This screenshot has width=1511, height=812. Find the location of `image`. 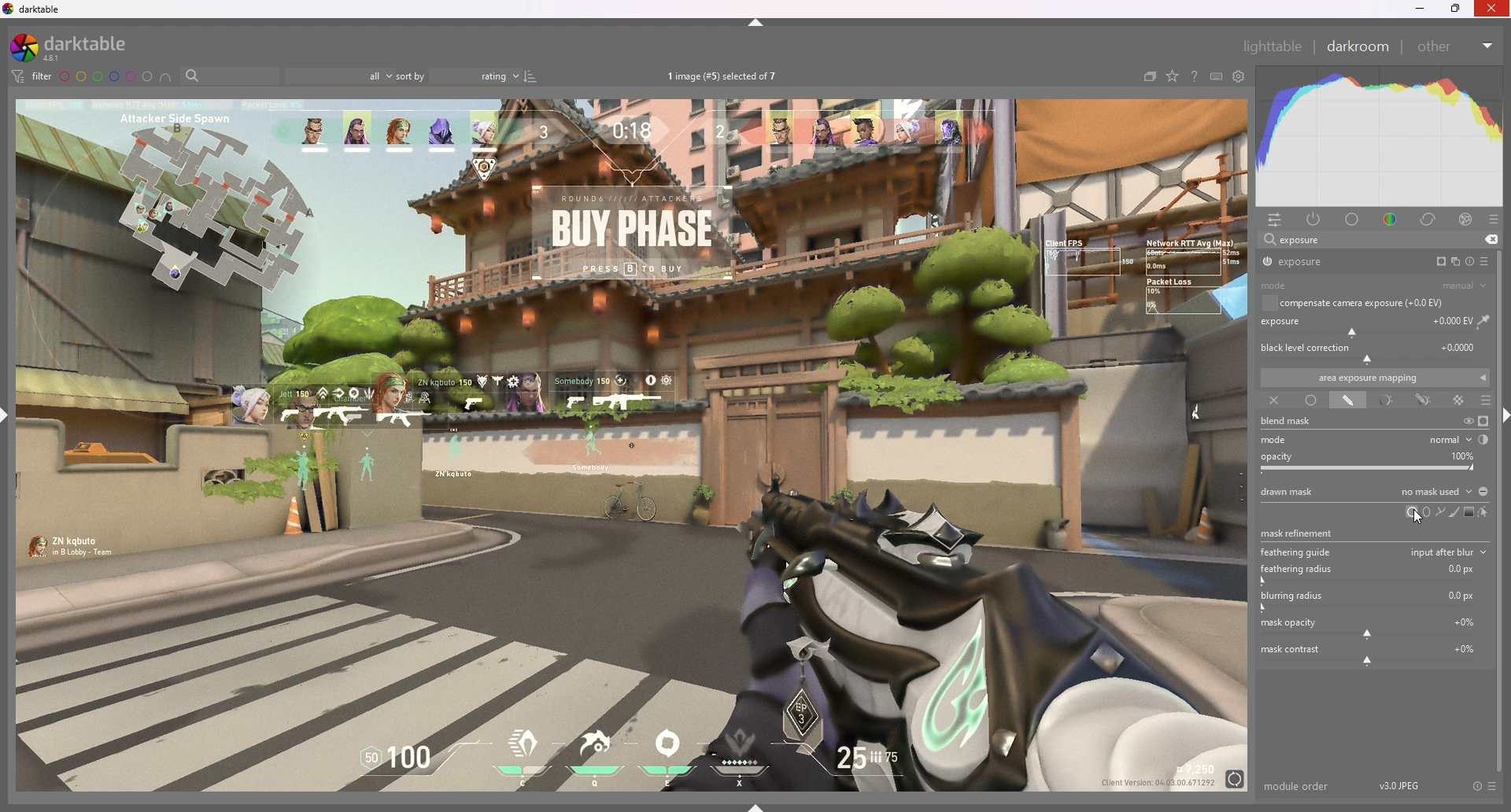

image is located at coordinates (634, 445).